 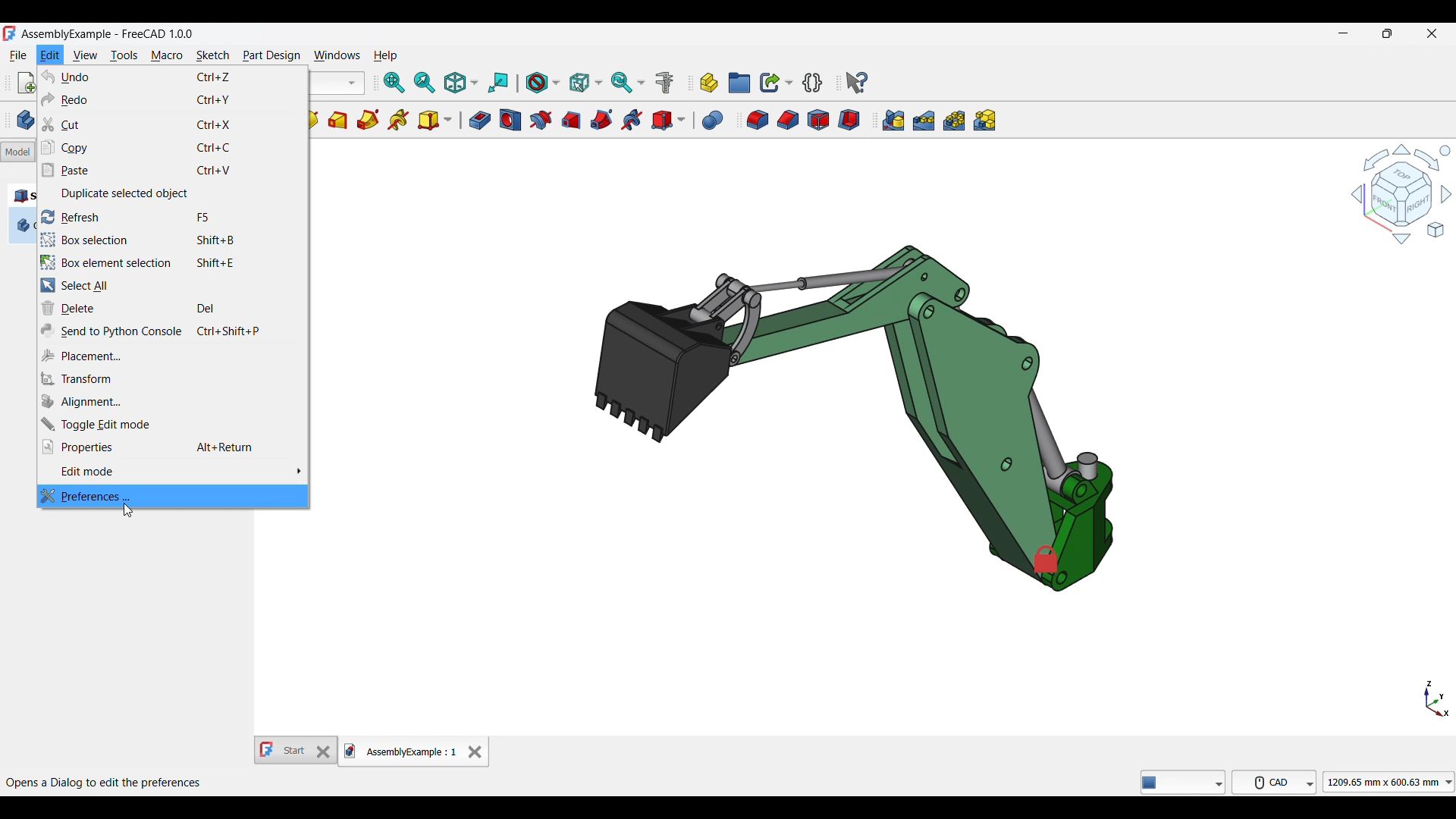 I want to click on Transform, so click(x=172, y=379).